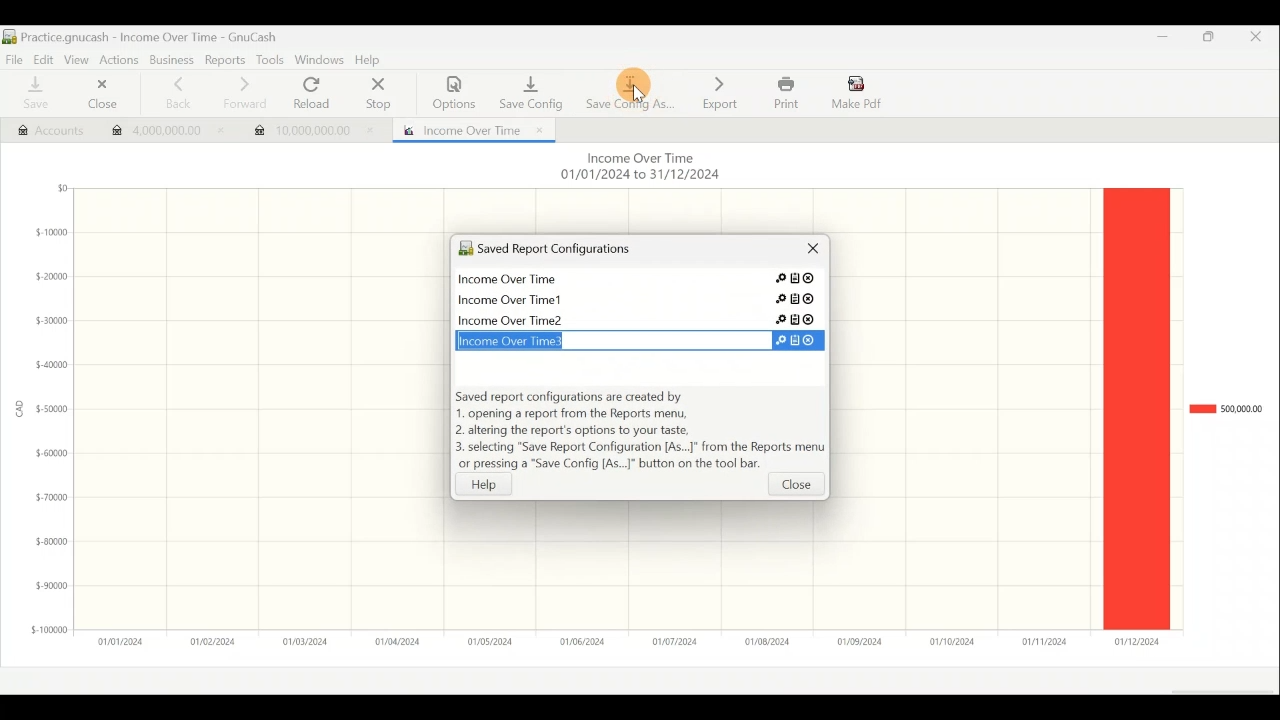 The width and height of the screenshot is (1280, 720). I want to click on Reload, so click(316, 94).